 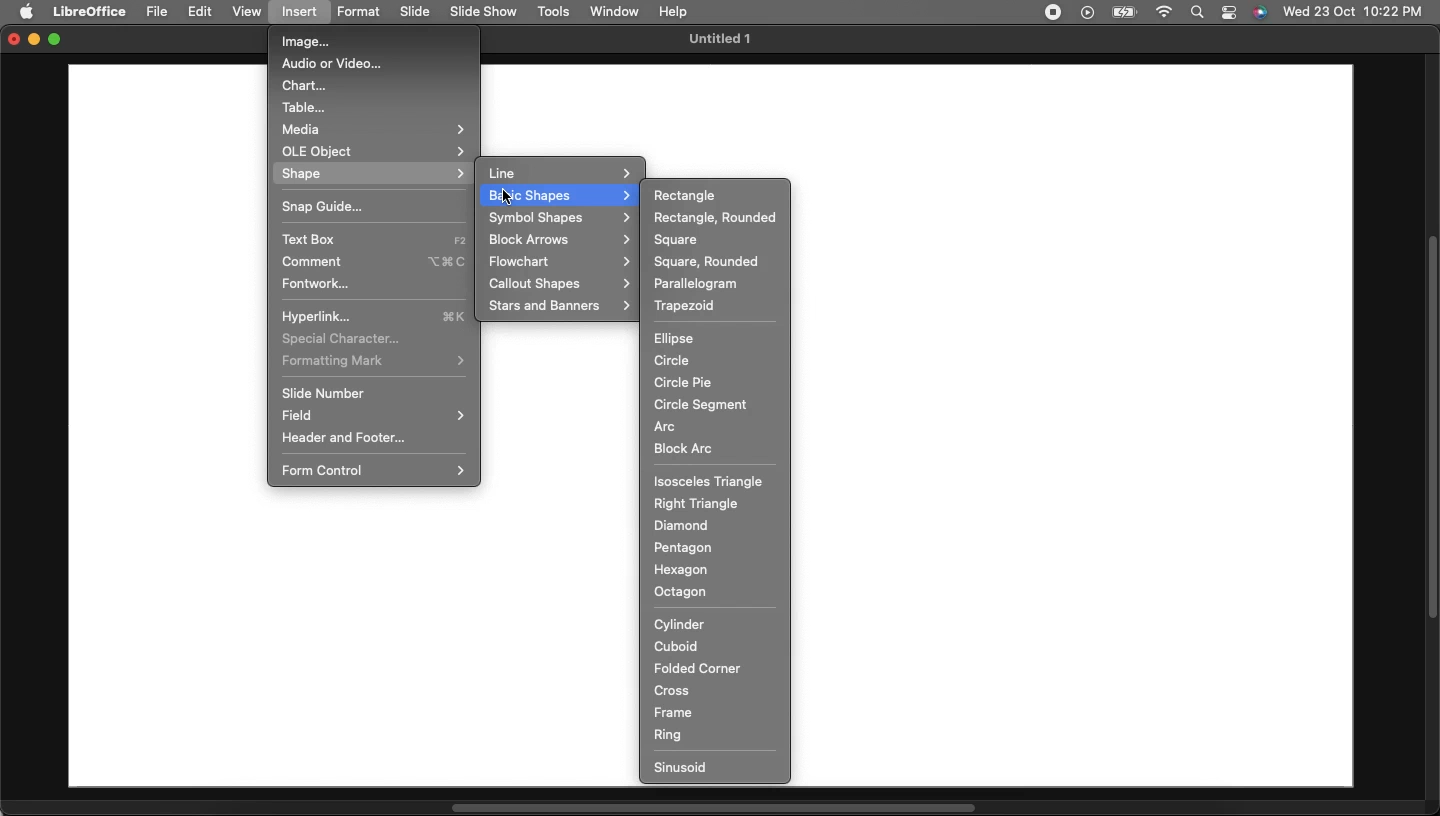 I want to click on Close, so click(x=10, y=41).